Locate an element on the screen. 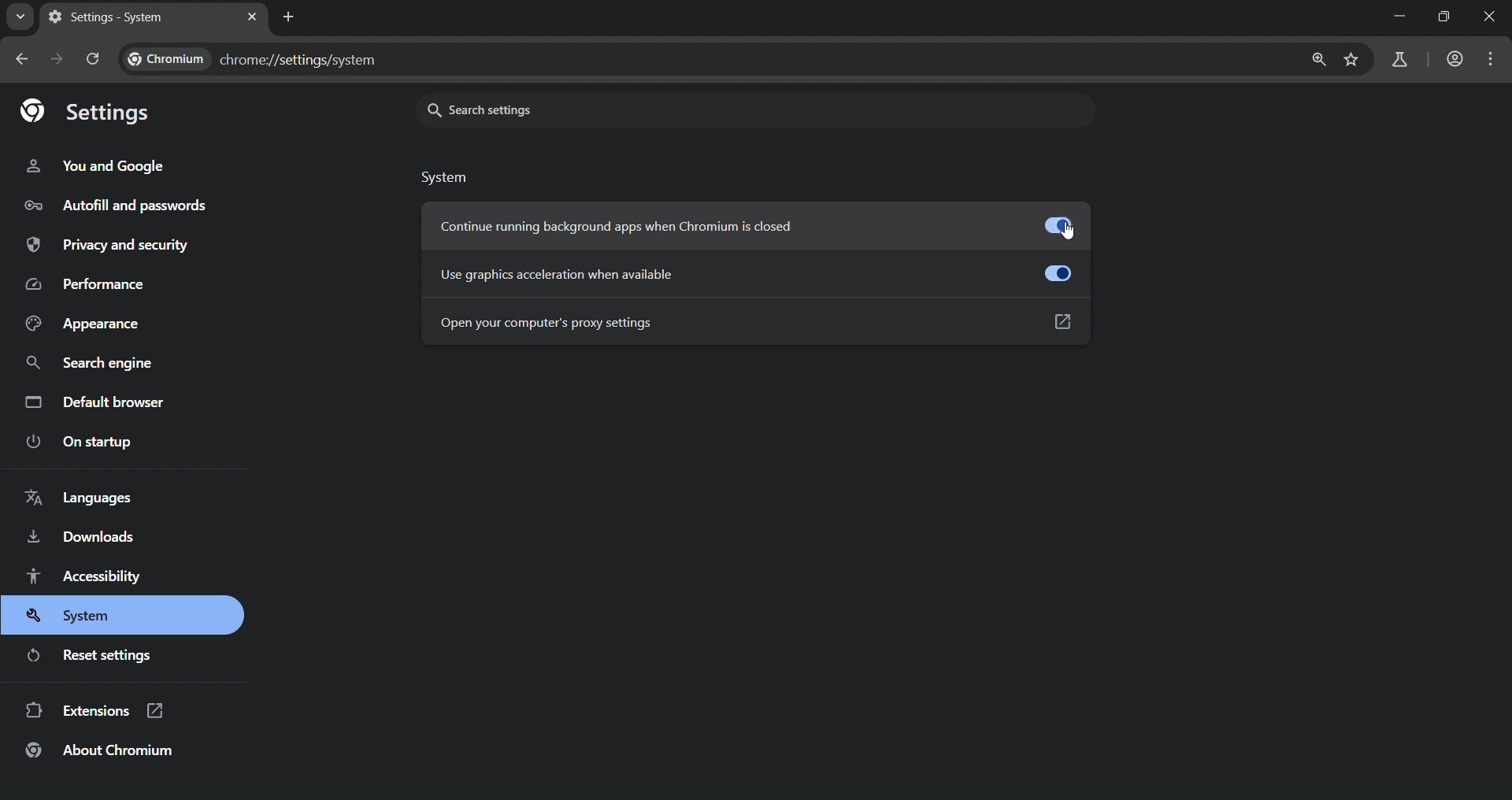 The image size is (1512, 800). performance is located at coordinates (88, 284).